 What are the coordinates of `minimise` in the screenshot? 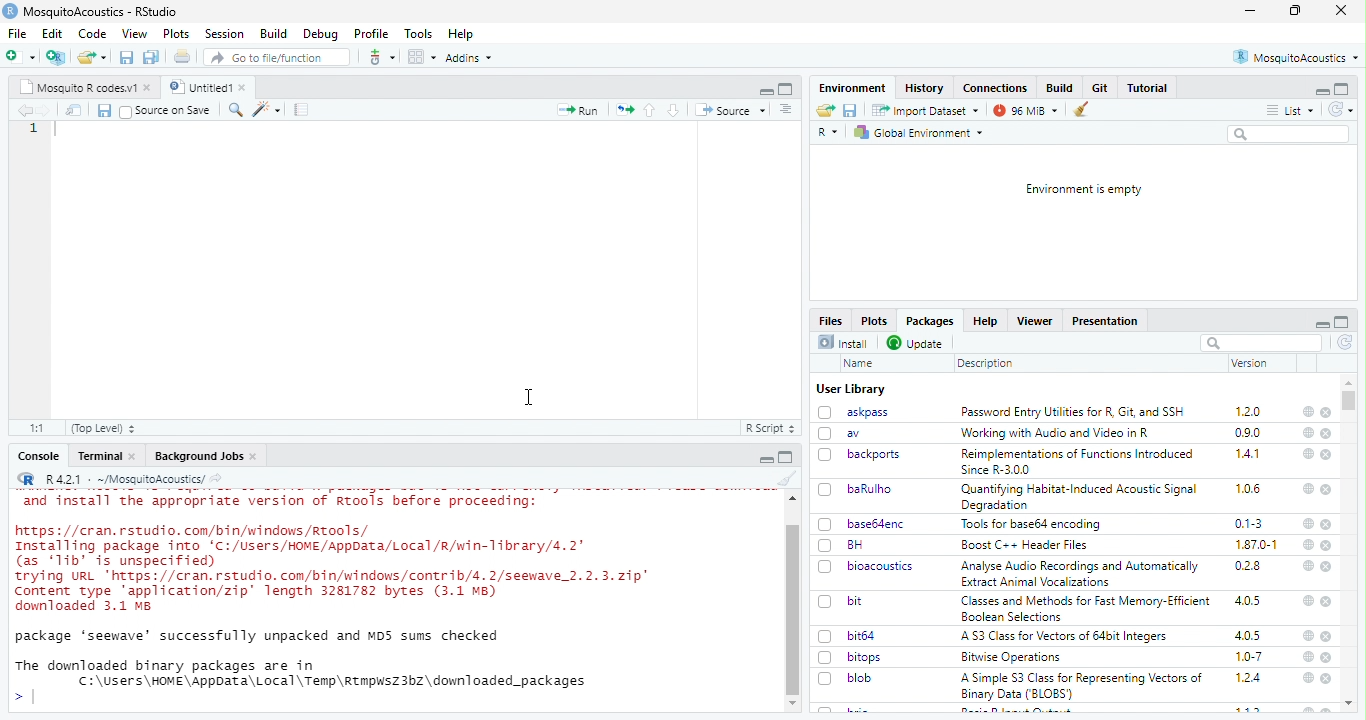 It's located at (1251, 11).